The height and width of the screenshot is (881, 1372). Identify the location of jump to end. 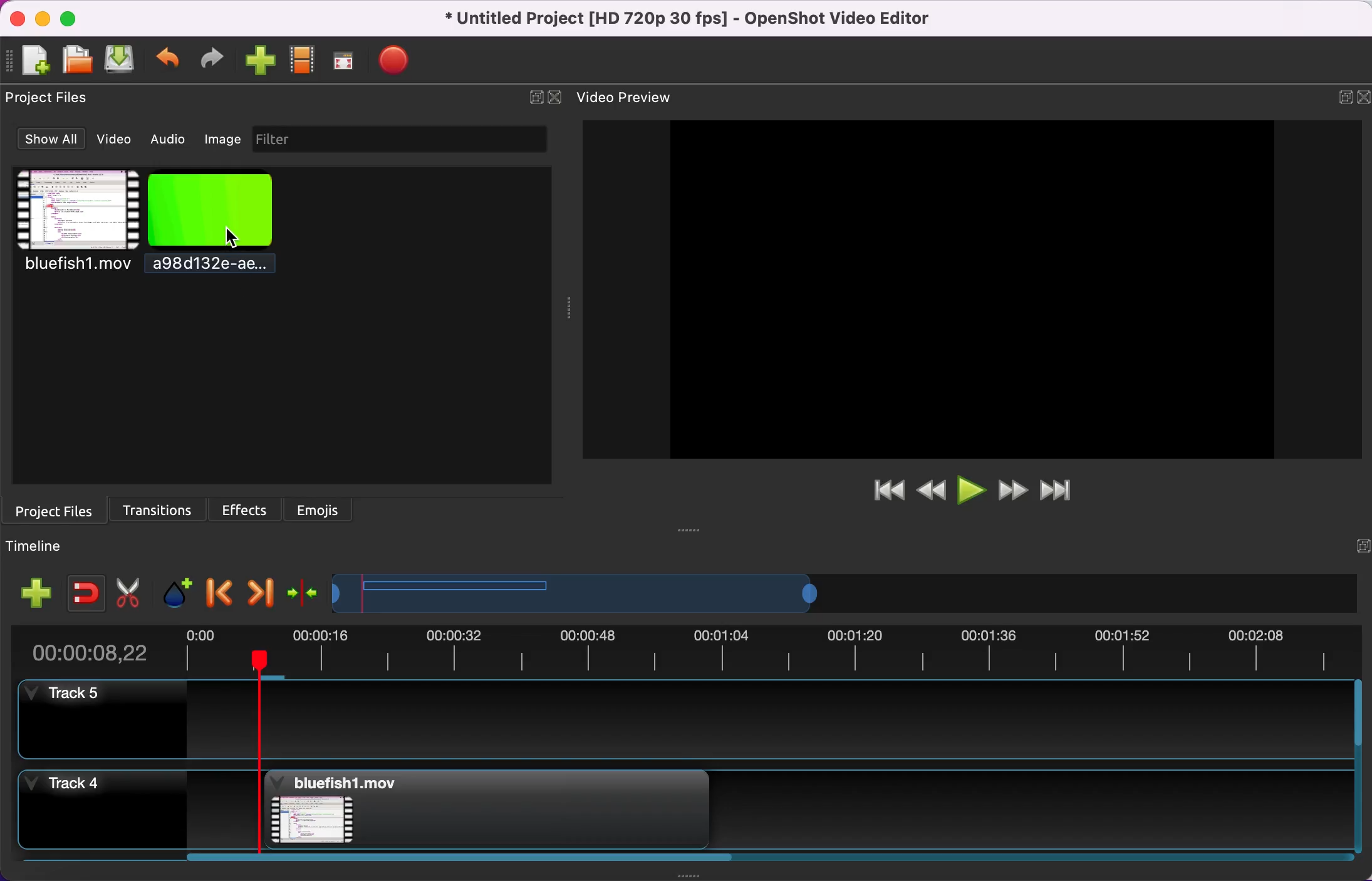
(1069, 491).